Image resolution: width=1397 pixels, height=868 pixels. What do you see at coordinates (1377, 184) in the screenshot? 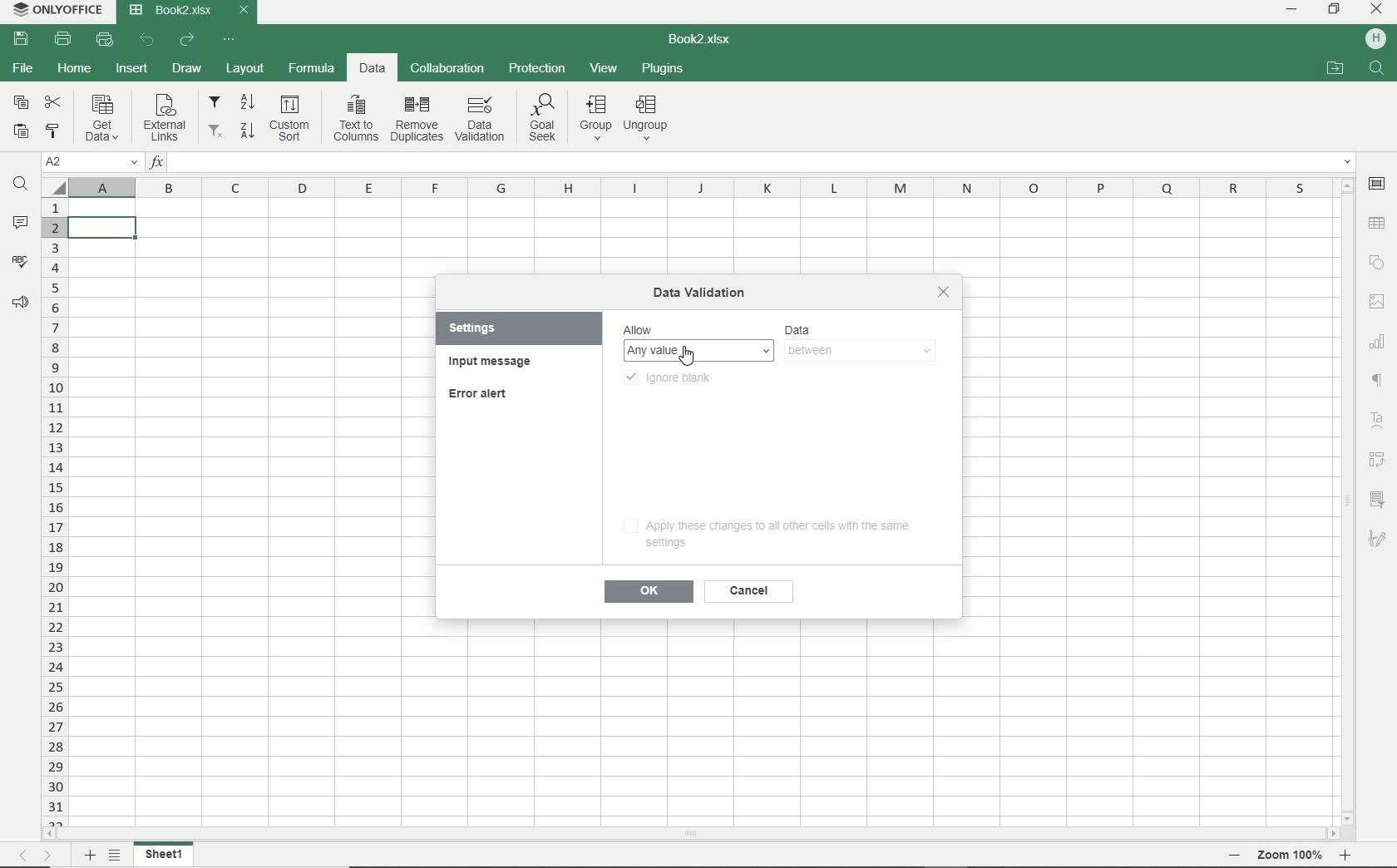
I see `CELL SETTINGS` at bounding box center [1377, 184].